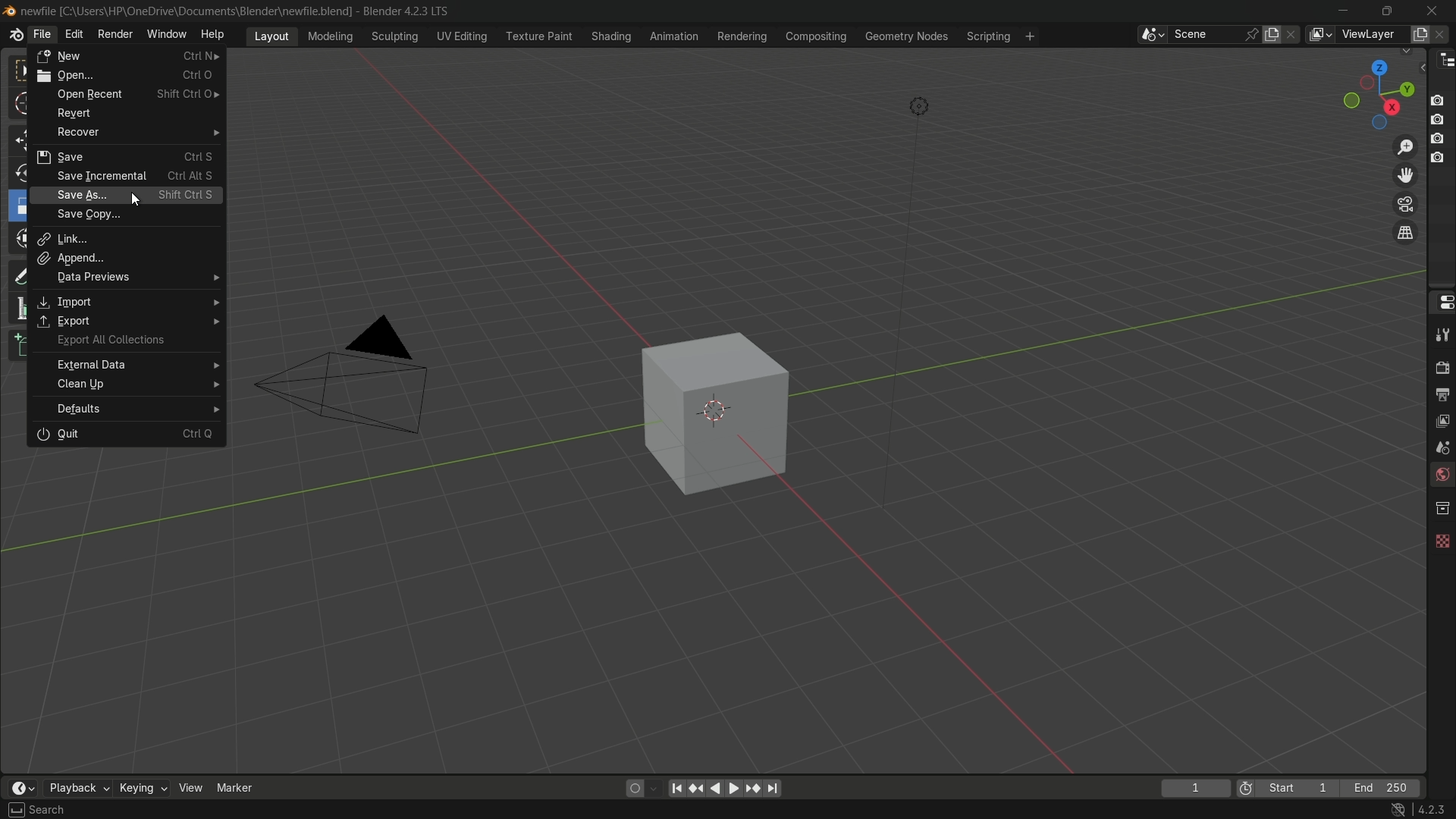 Image resolution: width=1456 pixels, height=819 pixels. What do you see at coordinates (127, 113) in the screenshot?
I see `revert` at bounding box center [127, 113].